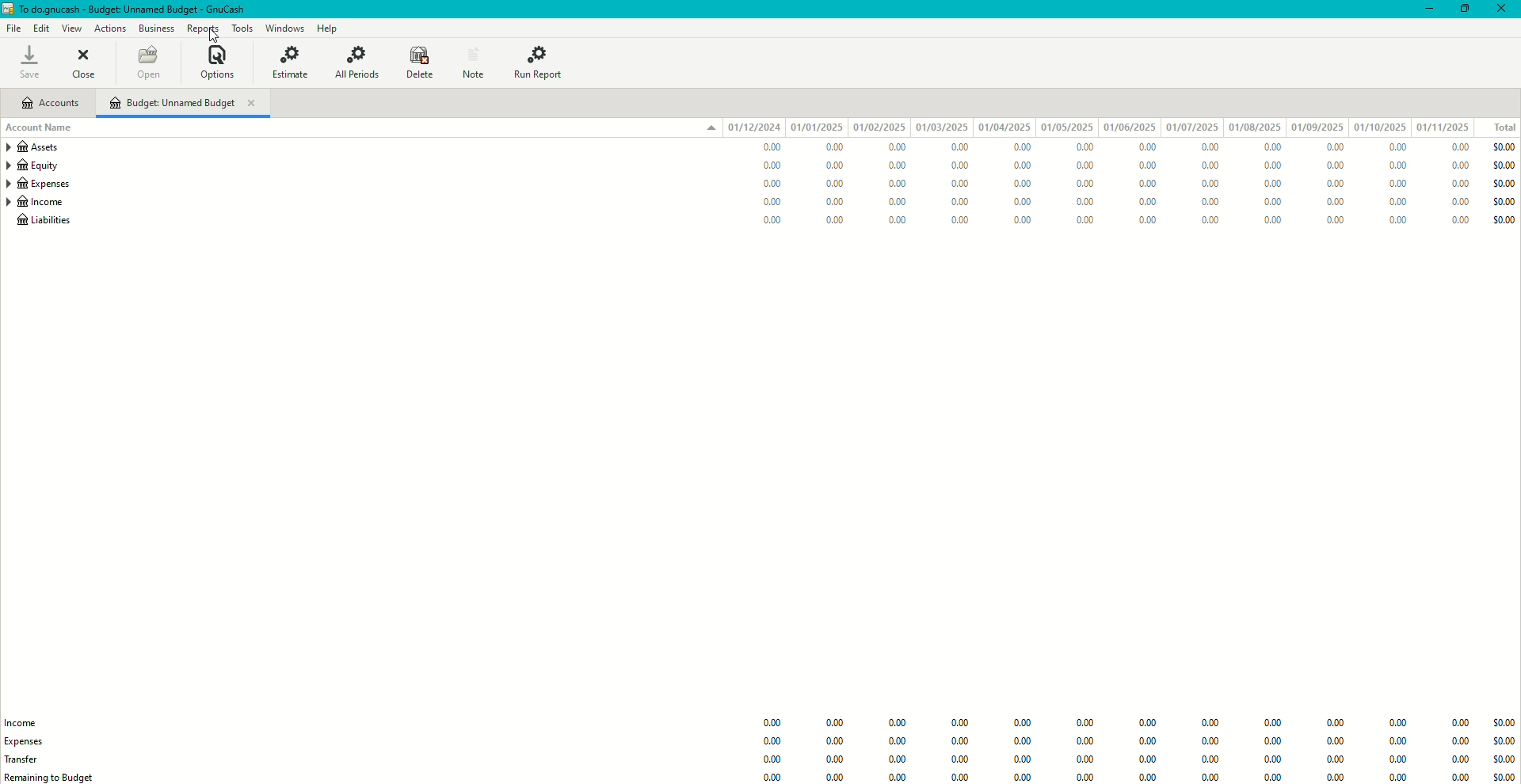  What do you see at coordinates (1505, 203) in the screenshot?
I see `$0.00` at bounding box center [1505, 203].